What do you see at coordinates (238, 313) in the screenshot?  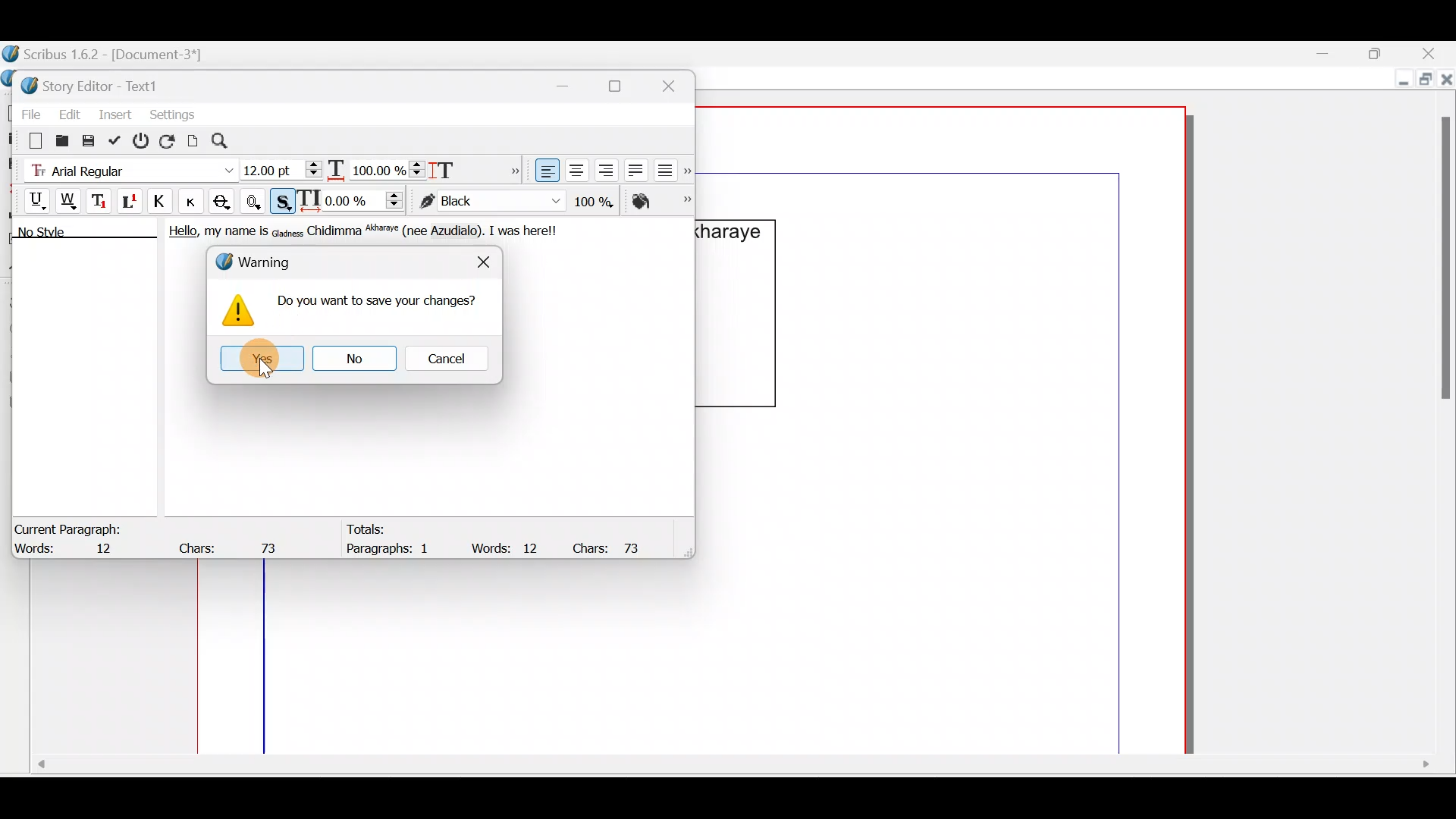 I see `Warning icon` at bounding box center [238, 313].